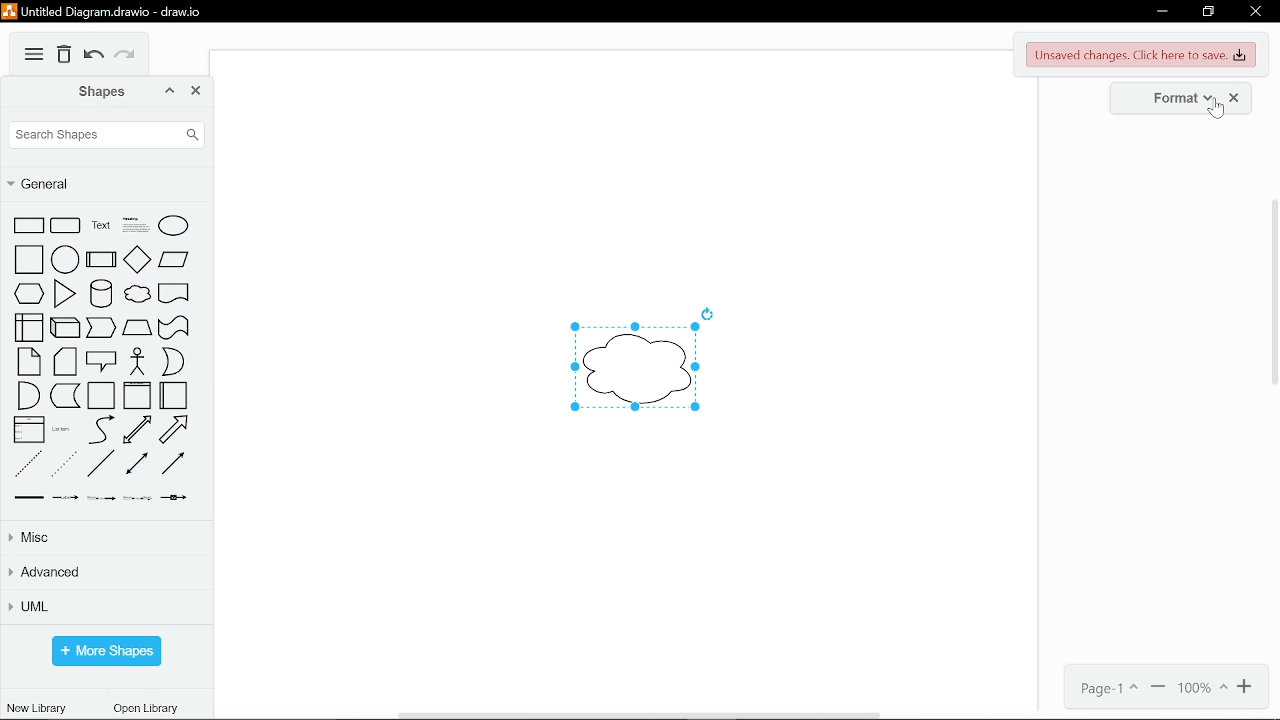 This screenshot has height=720, width=1280. Describe the element at coordinates (26, 462) in the screenshot. I see `dashed line` at that location.